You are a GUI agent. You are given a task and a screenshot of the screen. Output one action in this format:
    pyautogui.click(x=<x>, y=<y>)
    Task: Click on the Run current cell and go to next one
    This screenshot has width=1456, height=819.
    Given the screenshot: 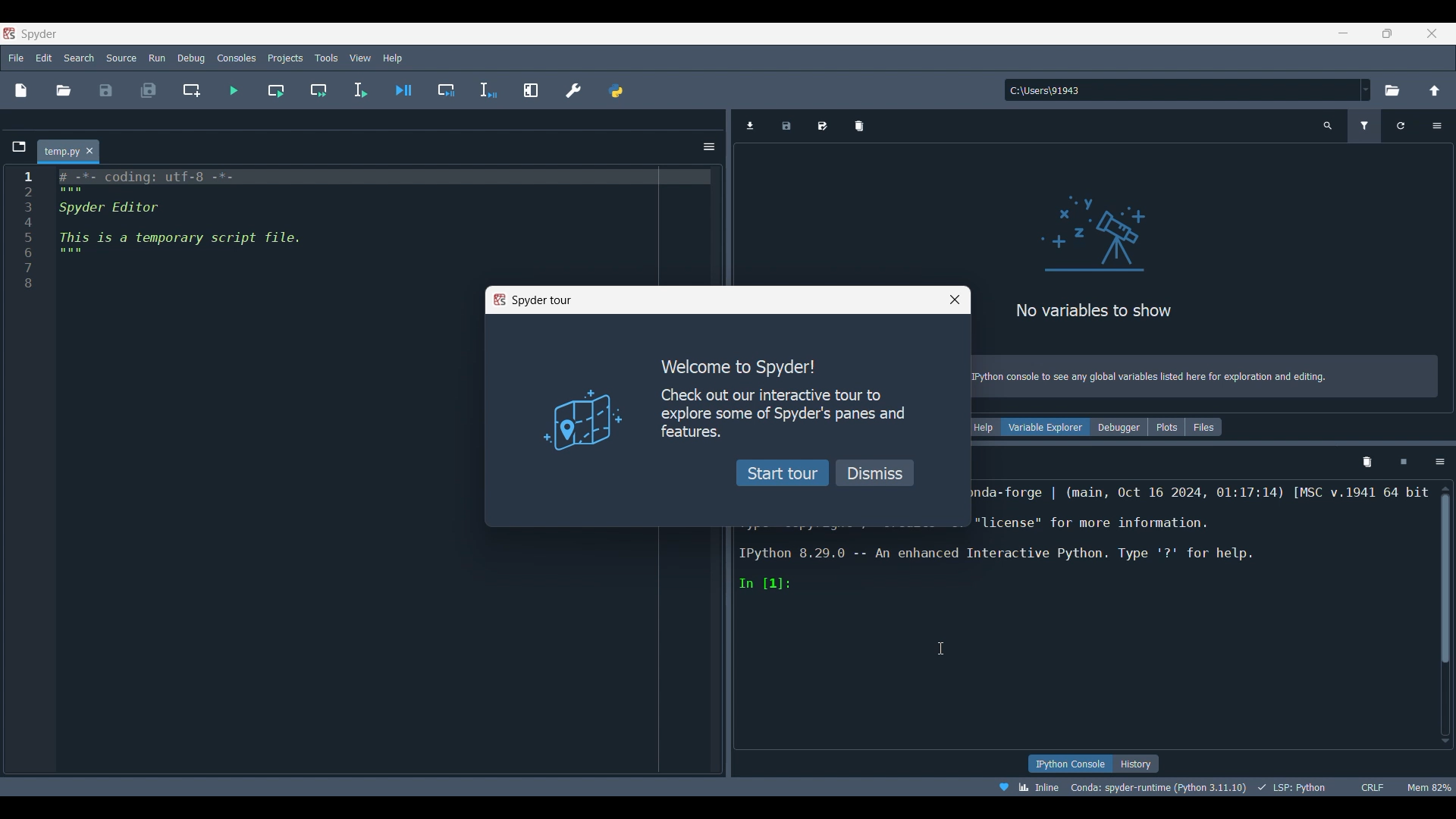 What is the action you would take?
    pyautogui.click(x=319, y=90)
    